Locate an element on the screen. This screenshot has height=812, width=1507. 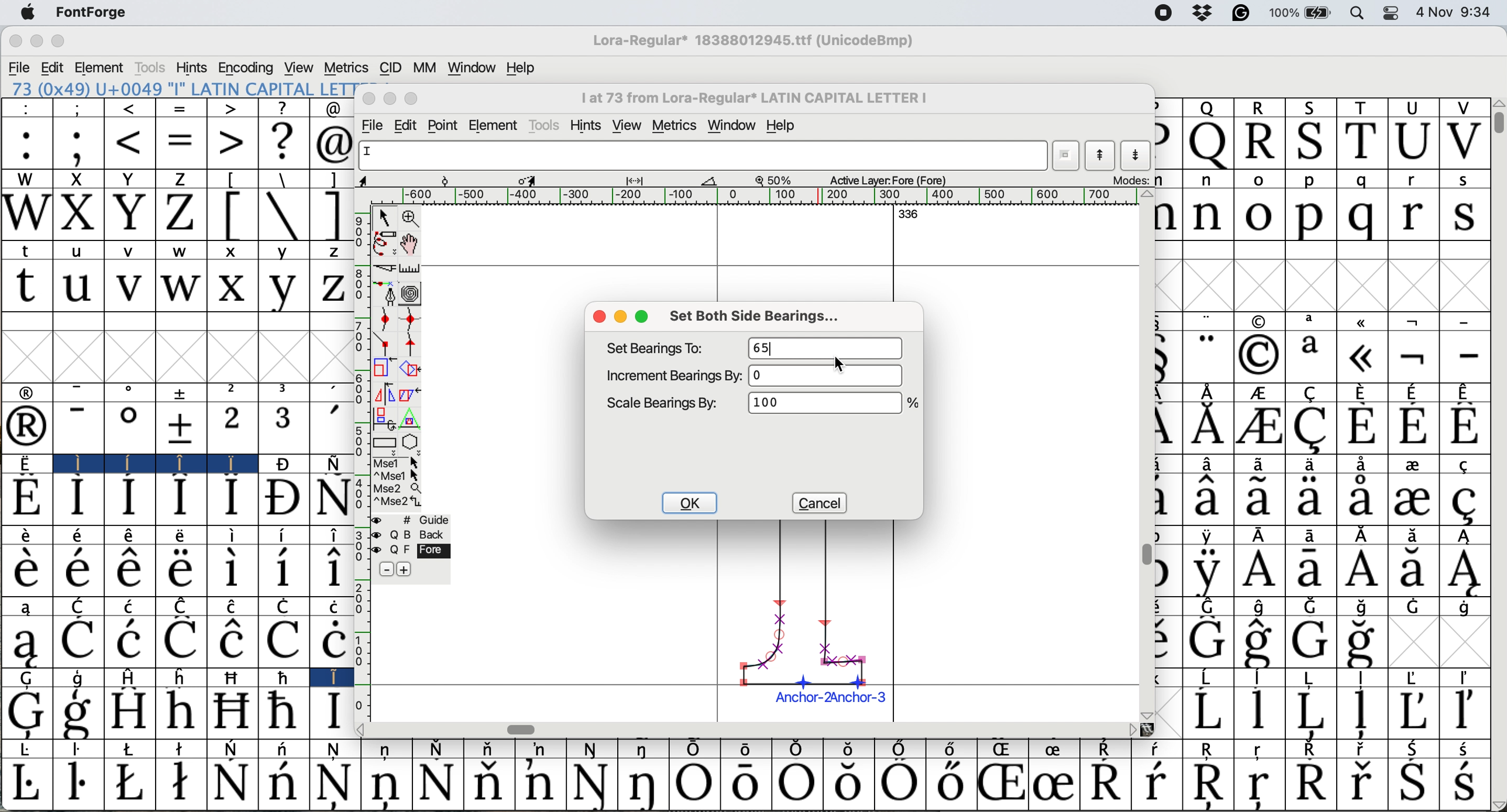
fore is located at coordinates (422, 550).